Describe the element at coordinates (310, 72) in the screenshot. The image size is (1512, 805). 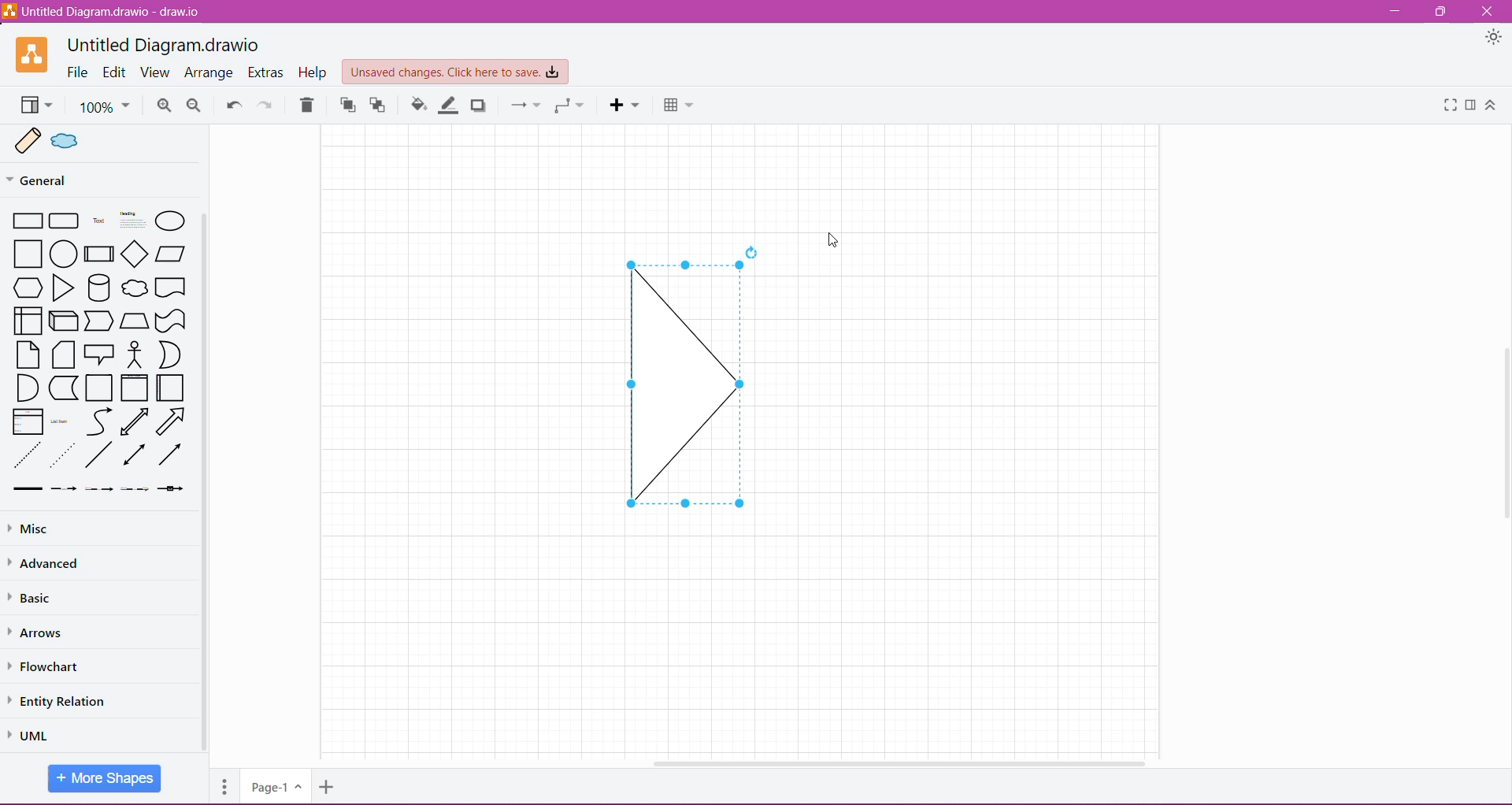
I see `Help` at that location.